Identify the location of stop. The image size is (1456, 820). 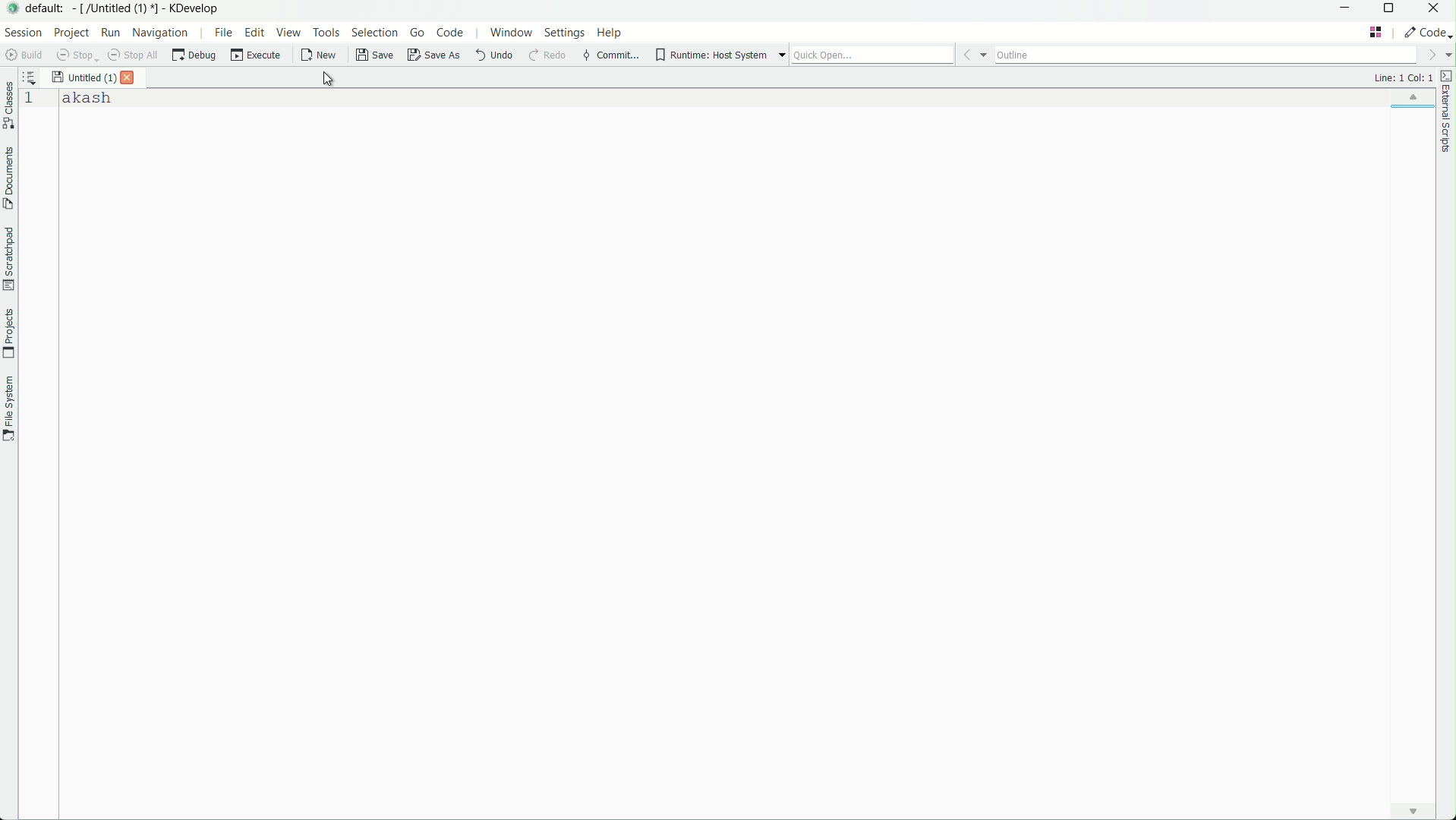
(76, 55).